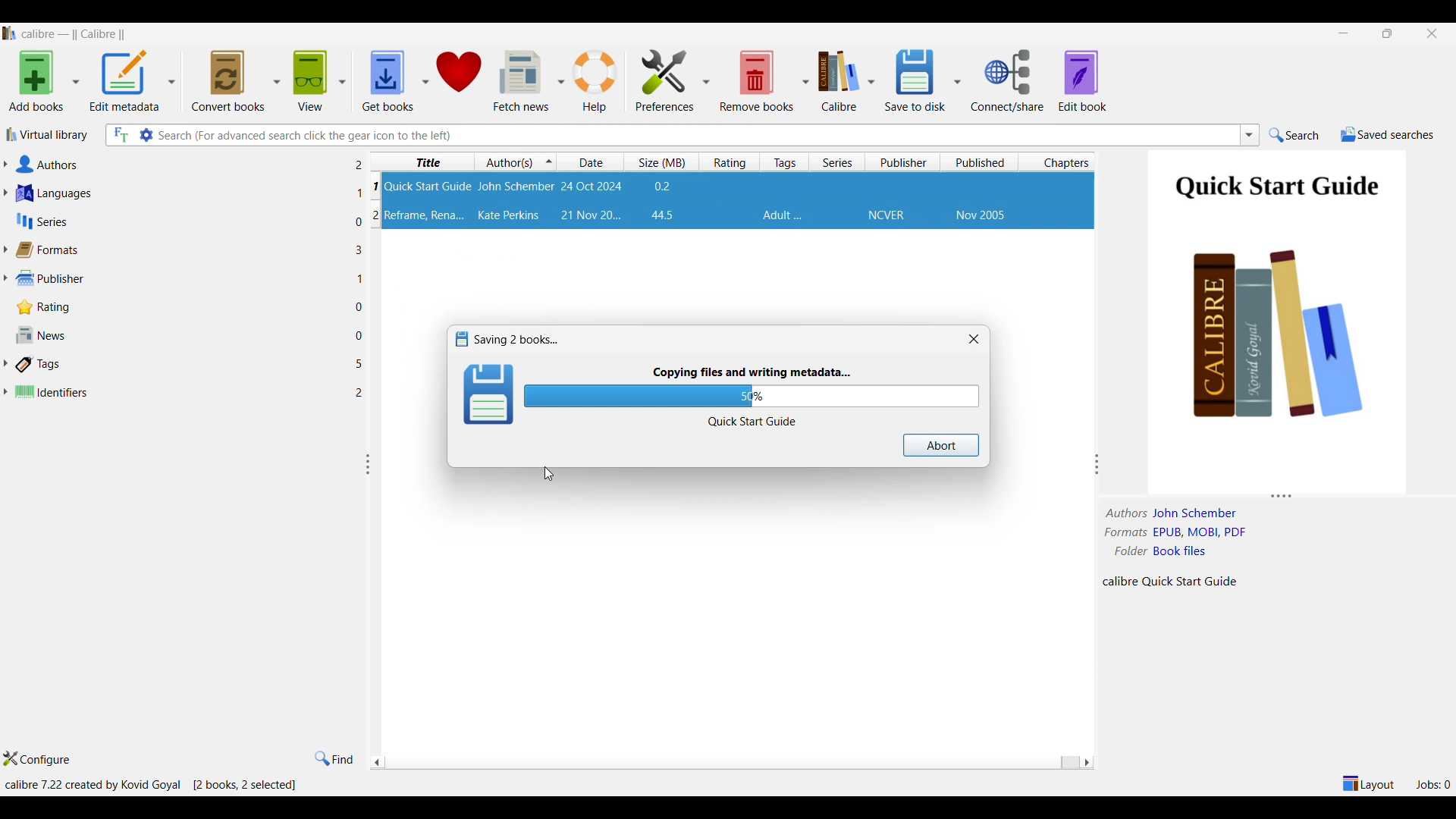 The width and height of the screenshot is (1456, 819). I want to click on Logo and title of pop up, so click(516, 339).